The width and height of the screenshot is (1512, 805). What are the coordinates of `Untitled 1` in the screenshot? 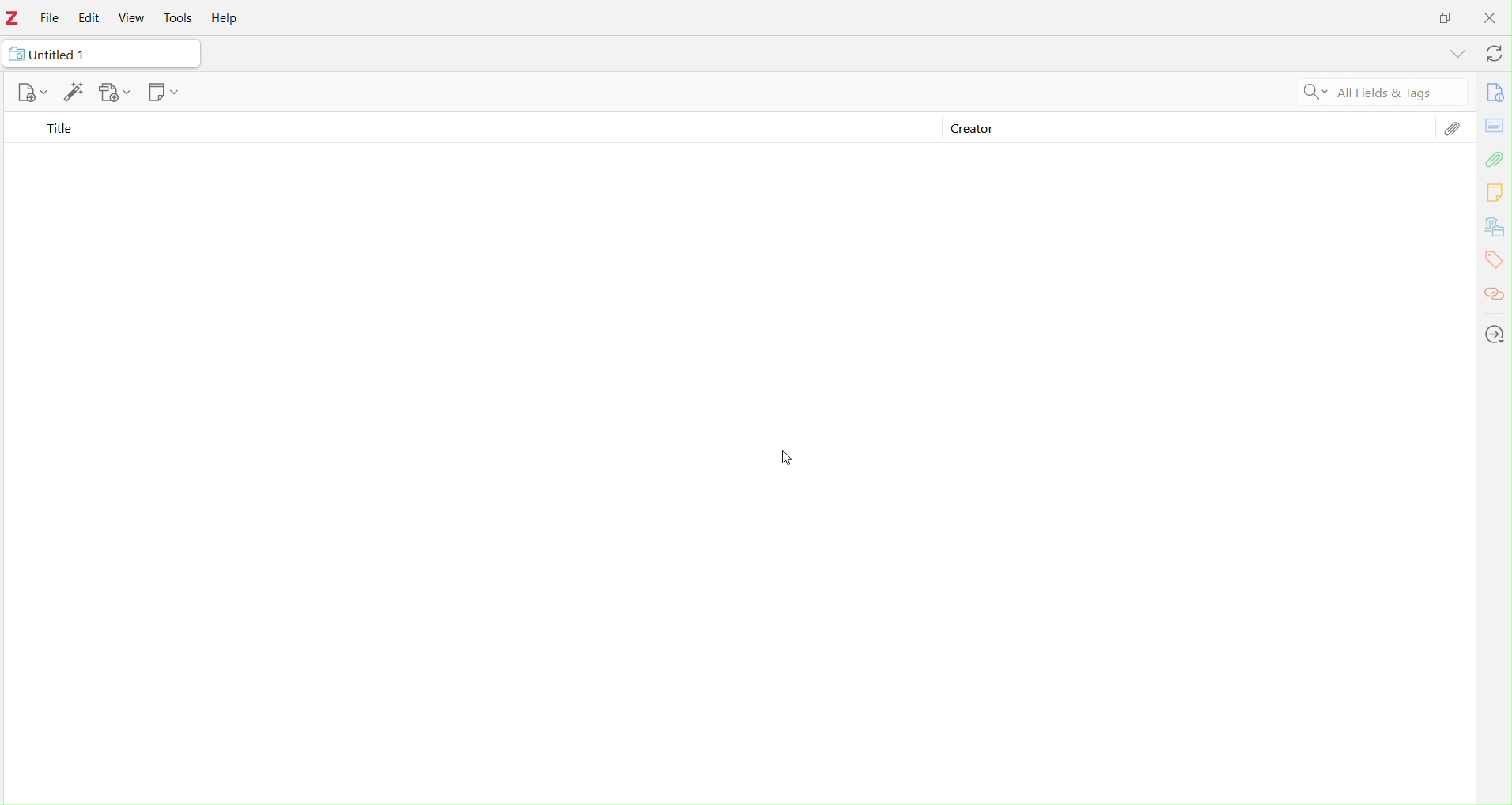 It's located at (59, 54).